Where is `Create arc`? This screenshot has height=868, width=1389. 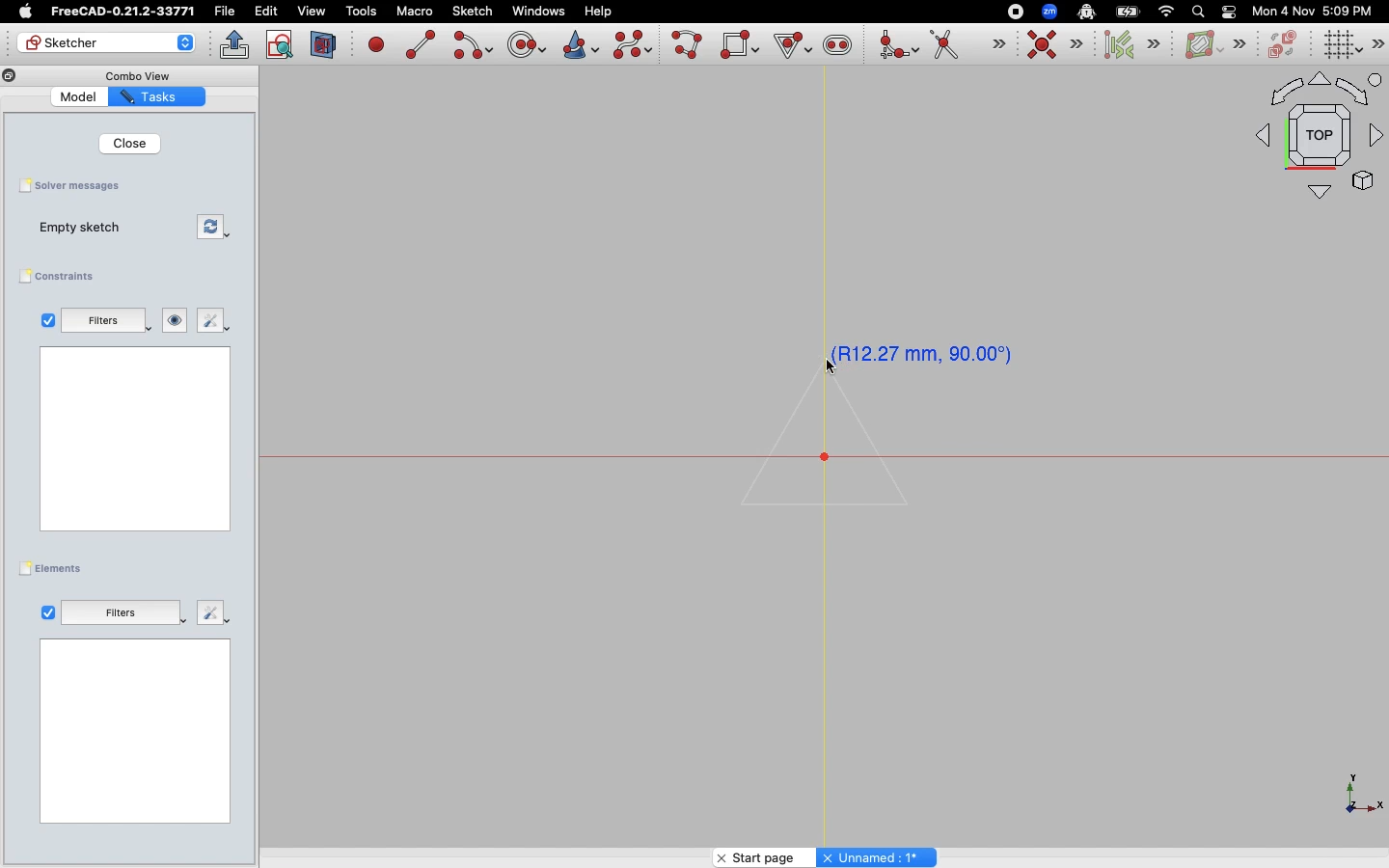 Create arc is located at coordinates (472, 45).